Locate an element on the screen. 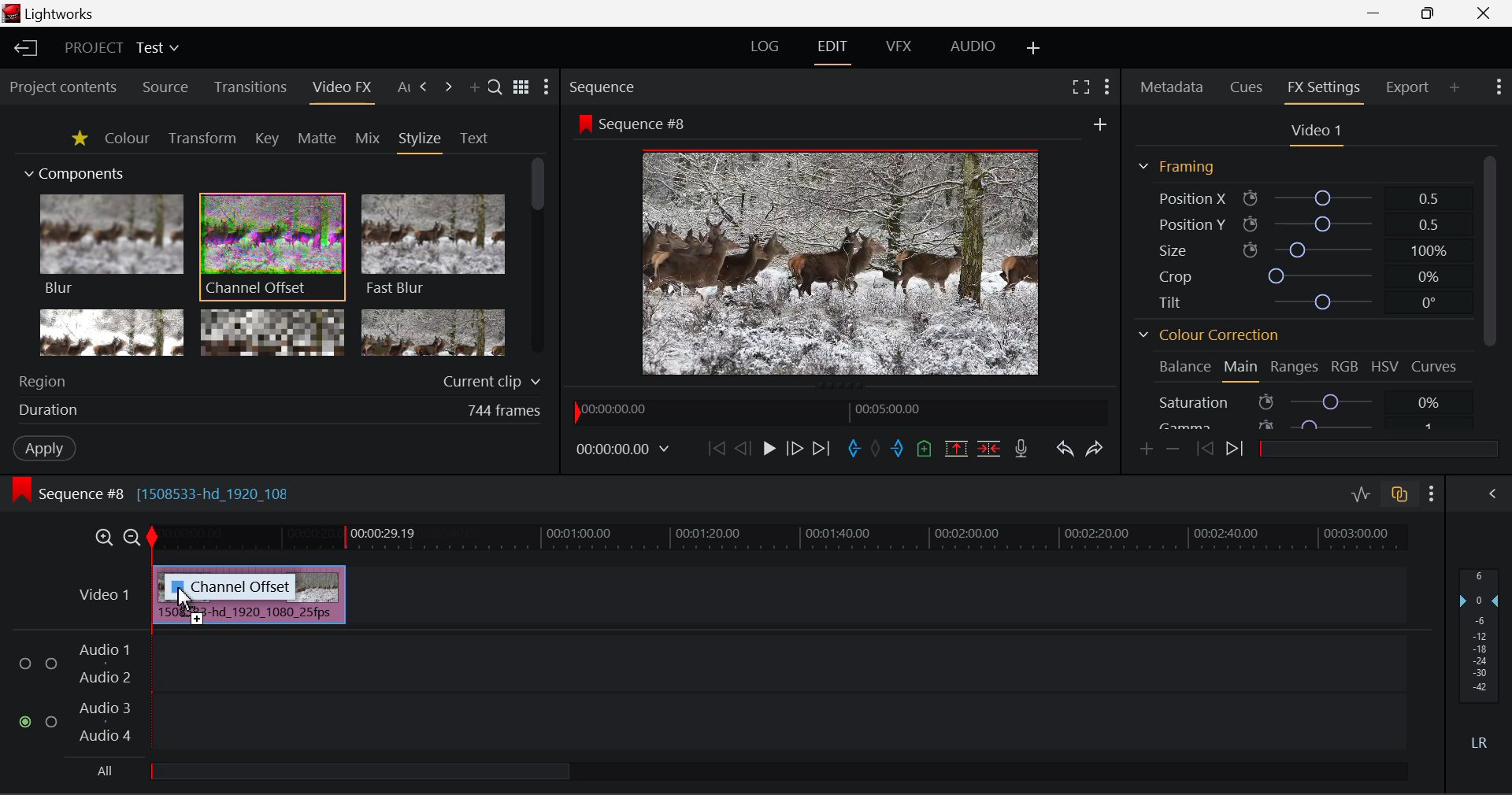 The width and height of the screenshot is (1512, 795). Mark Cue is located at coordinates (925, 447).